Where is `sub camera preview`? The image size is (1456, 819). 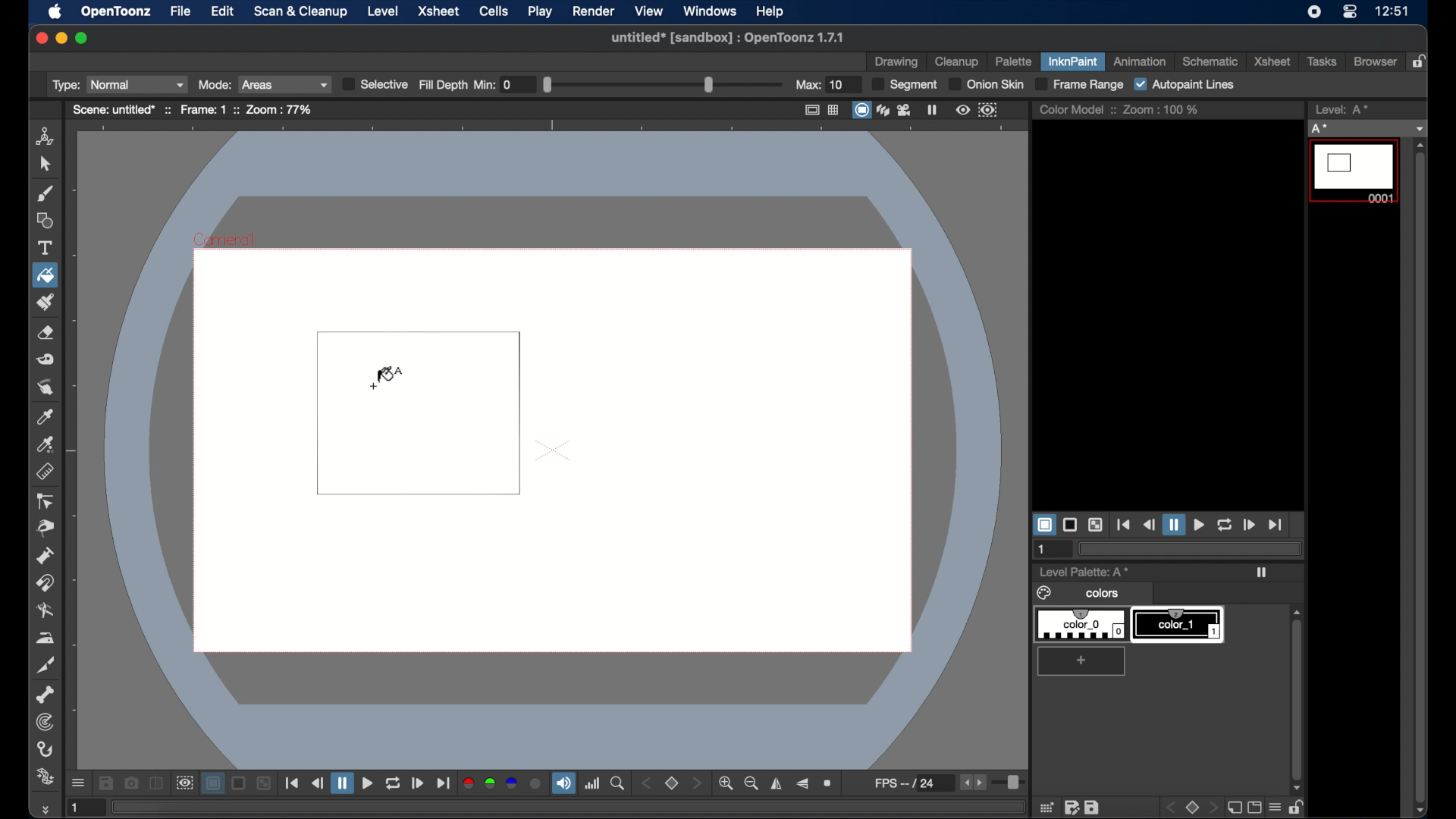
sub camera preview is located at coordinates (988, 110).